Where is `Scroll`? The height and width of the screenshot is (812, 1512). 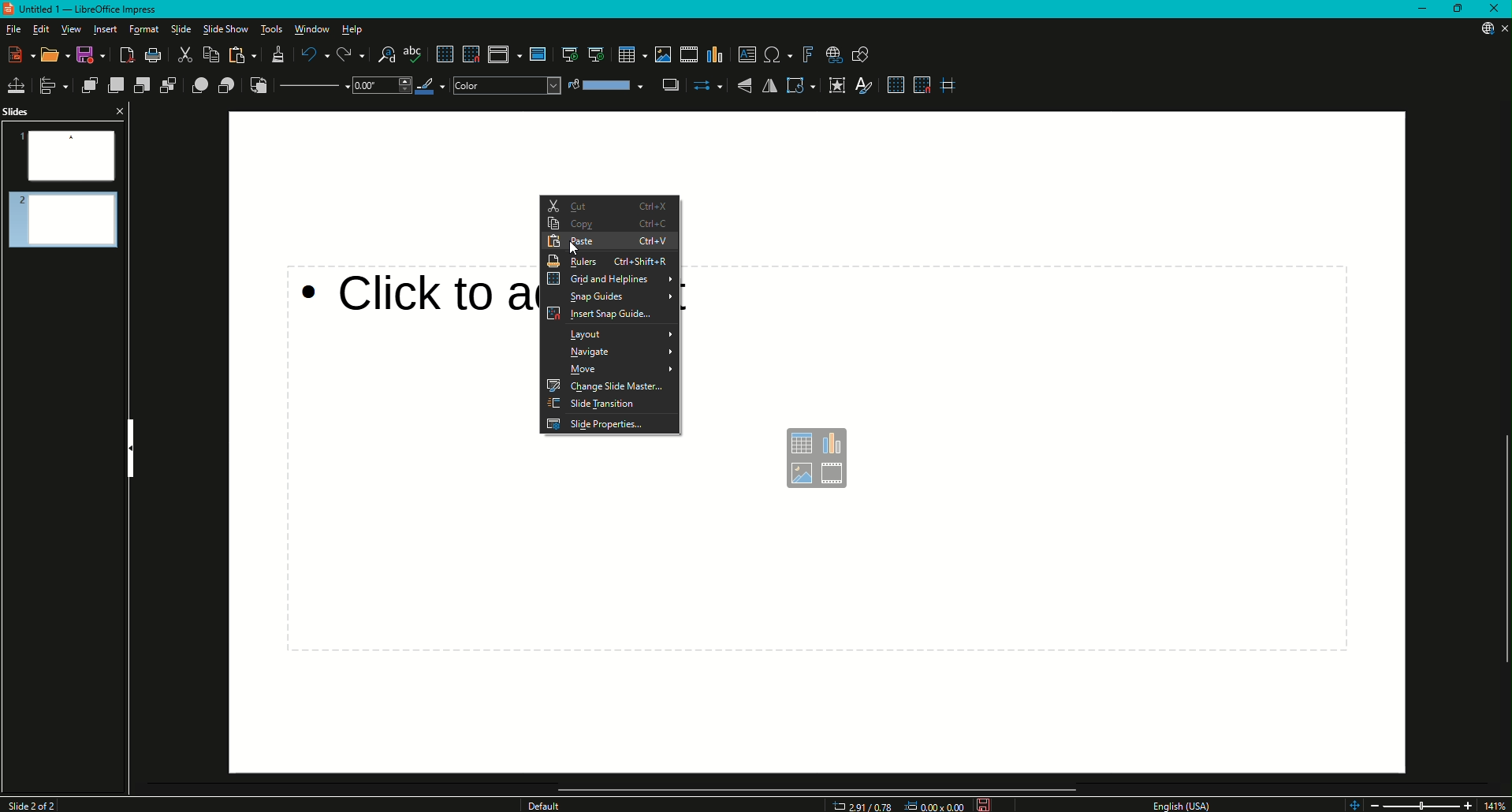
Scroll is located at coordinates (1513, 334).